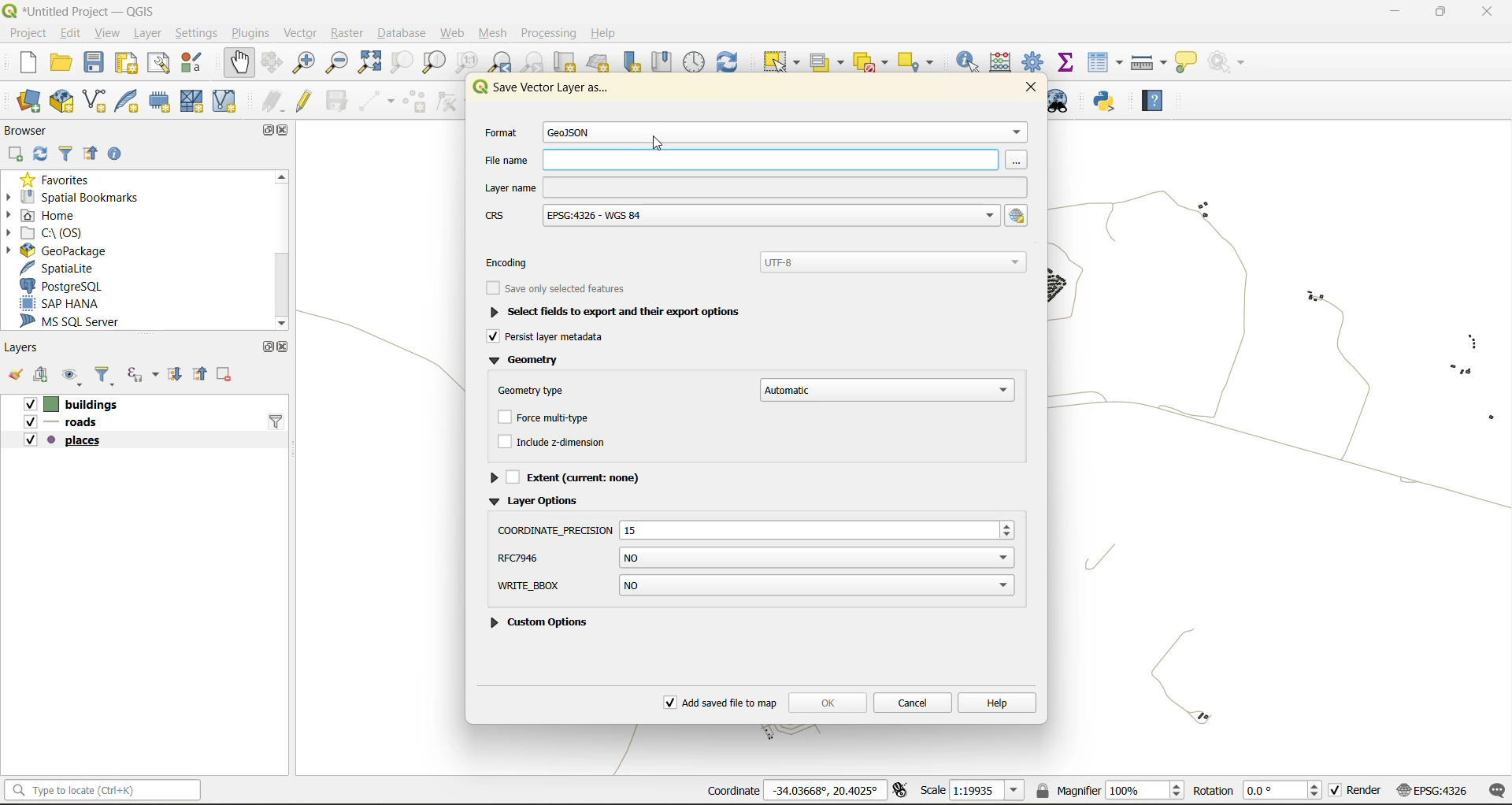 This screenshot has width=1512, height=805. Describe the element at coordinates (548, 87) in the screenshot. I see `save vector layer as` at that location.